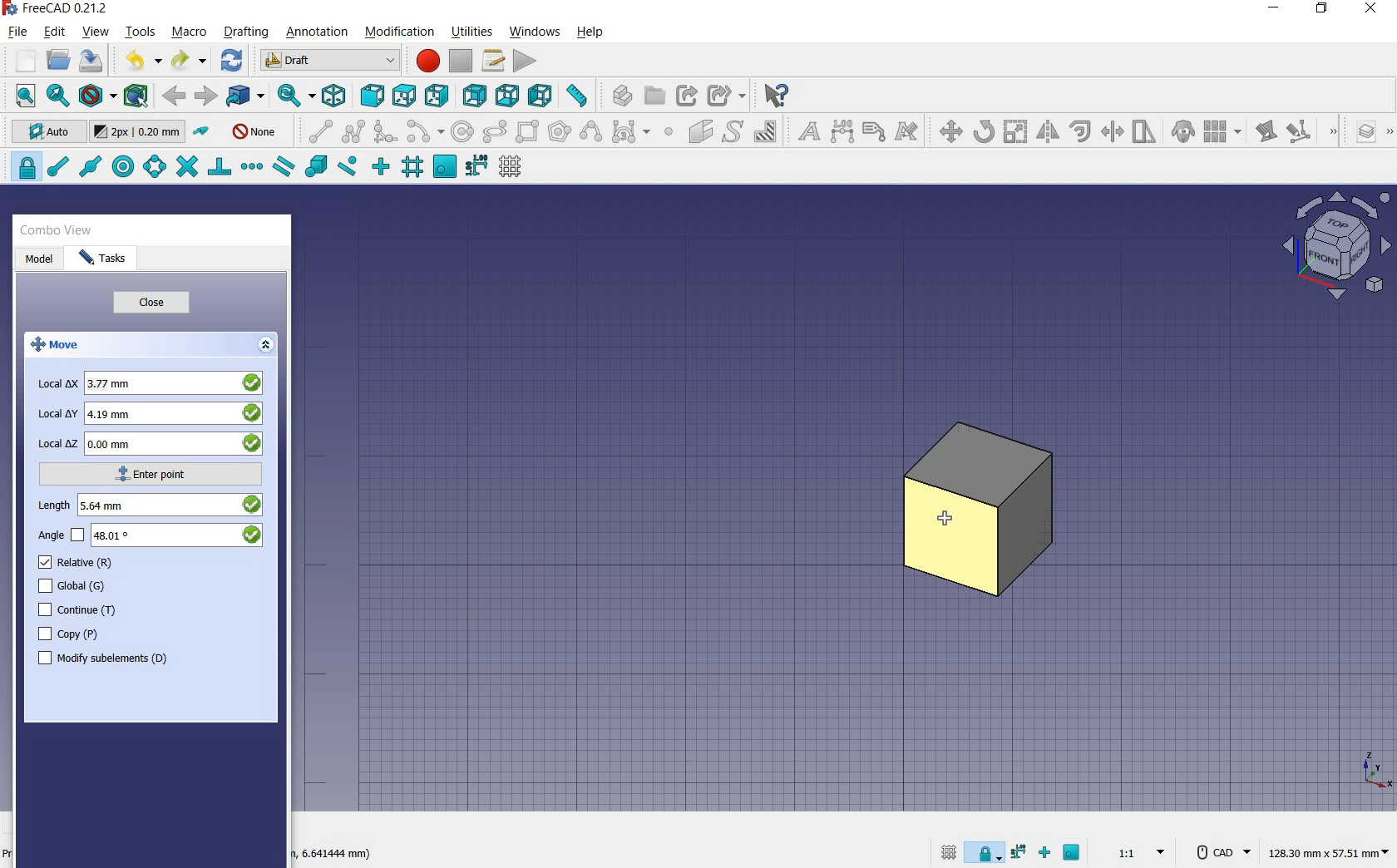 The width and height of the screenshot is (1397, 868). What do you see at coordinates (22, 167) in the screenshot?
I see `snap lock` at bounding box center [22, 167].